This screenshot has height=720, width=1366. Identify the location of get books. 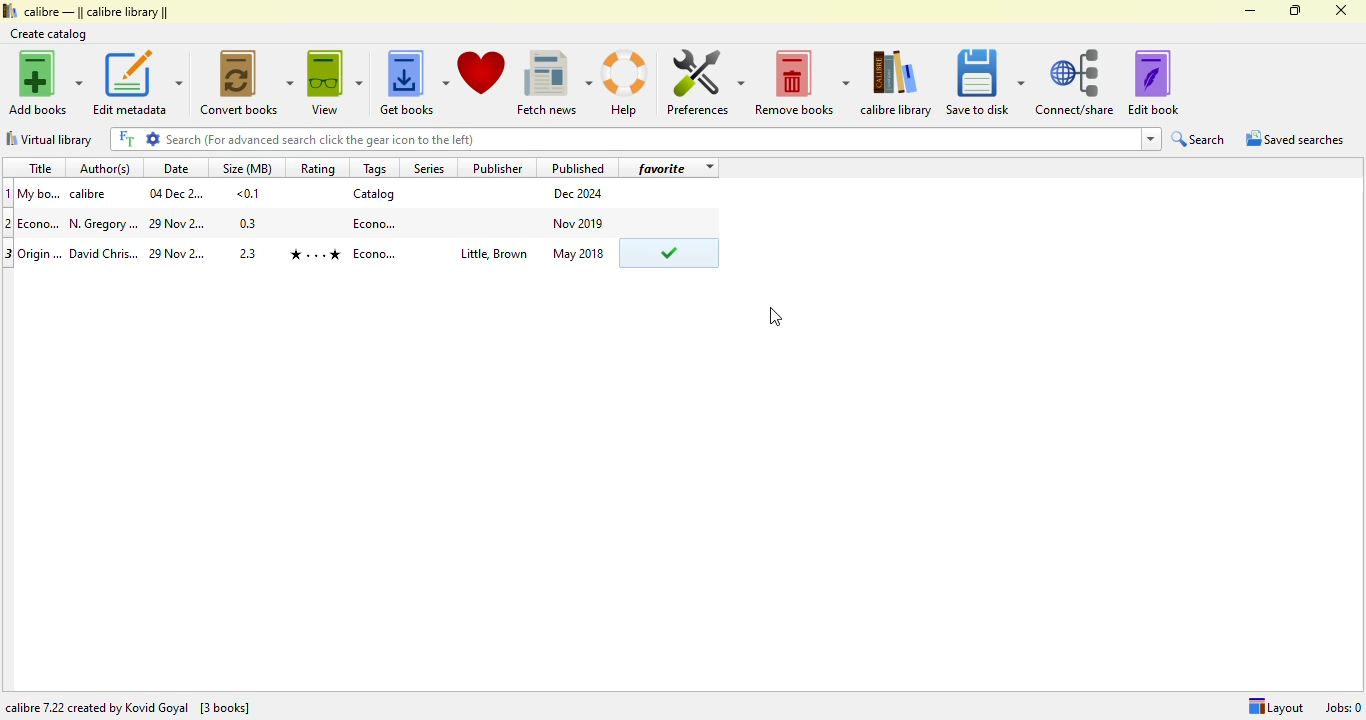
(413, 83).